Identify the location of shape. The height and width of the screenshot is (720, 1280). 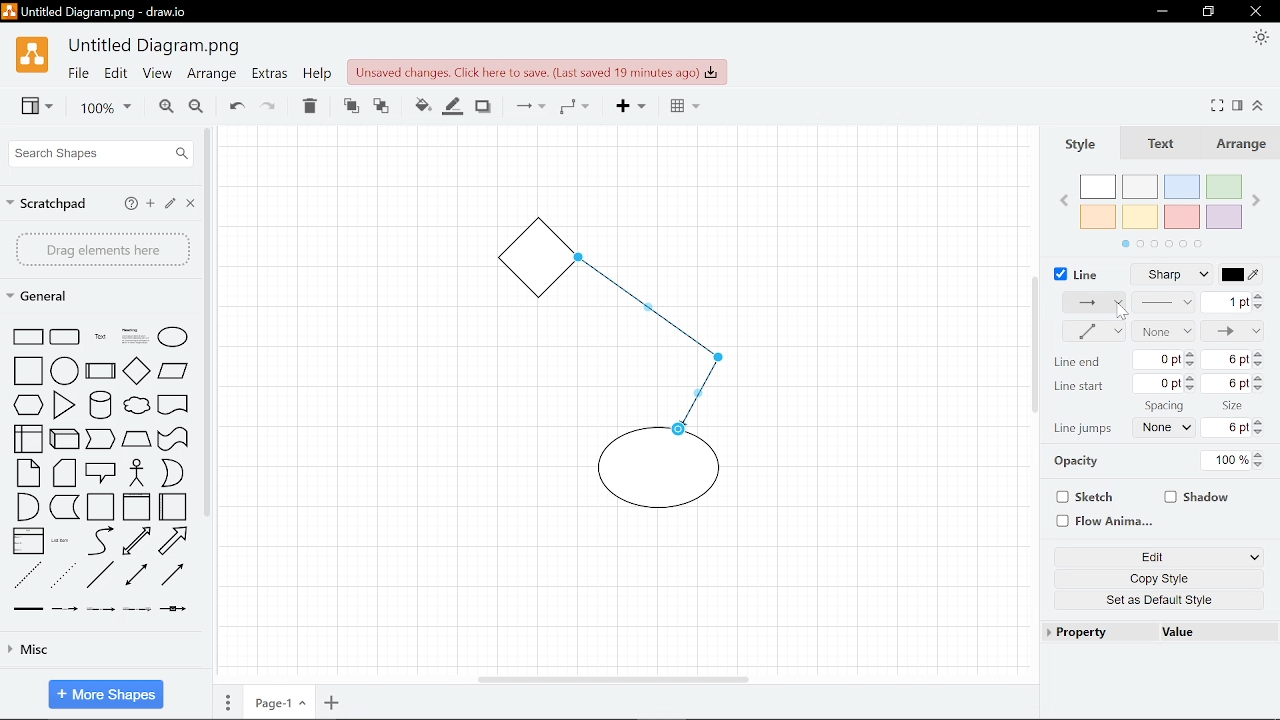
(173, 474).